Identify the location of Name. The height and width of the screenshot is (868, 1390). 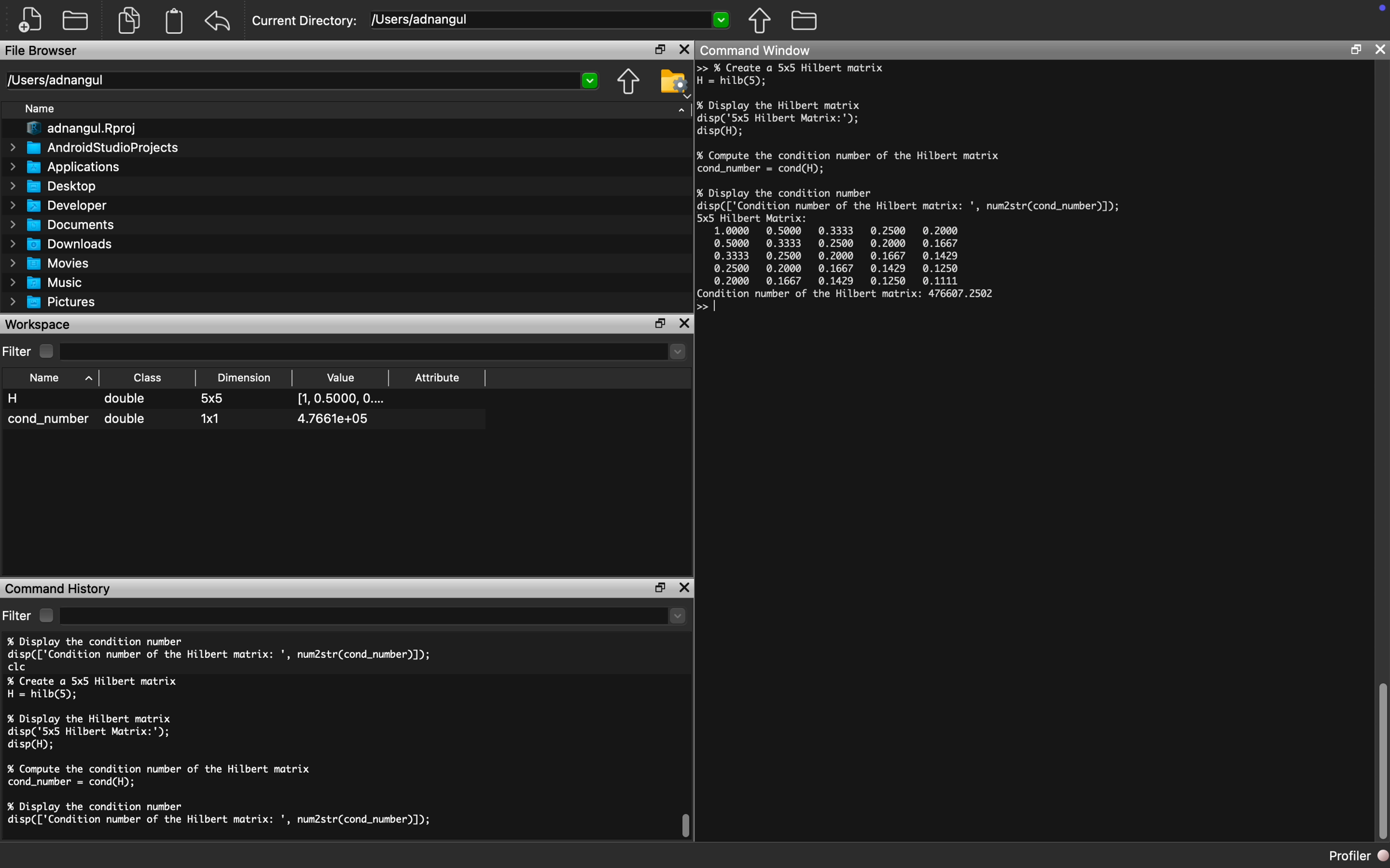
(38, 108).